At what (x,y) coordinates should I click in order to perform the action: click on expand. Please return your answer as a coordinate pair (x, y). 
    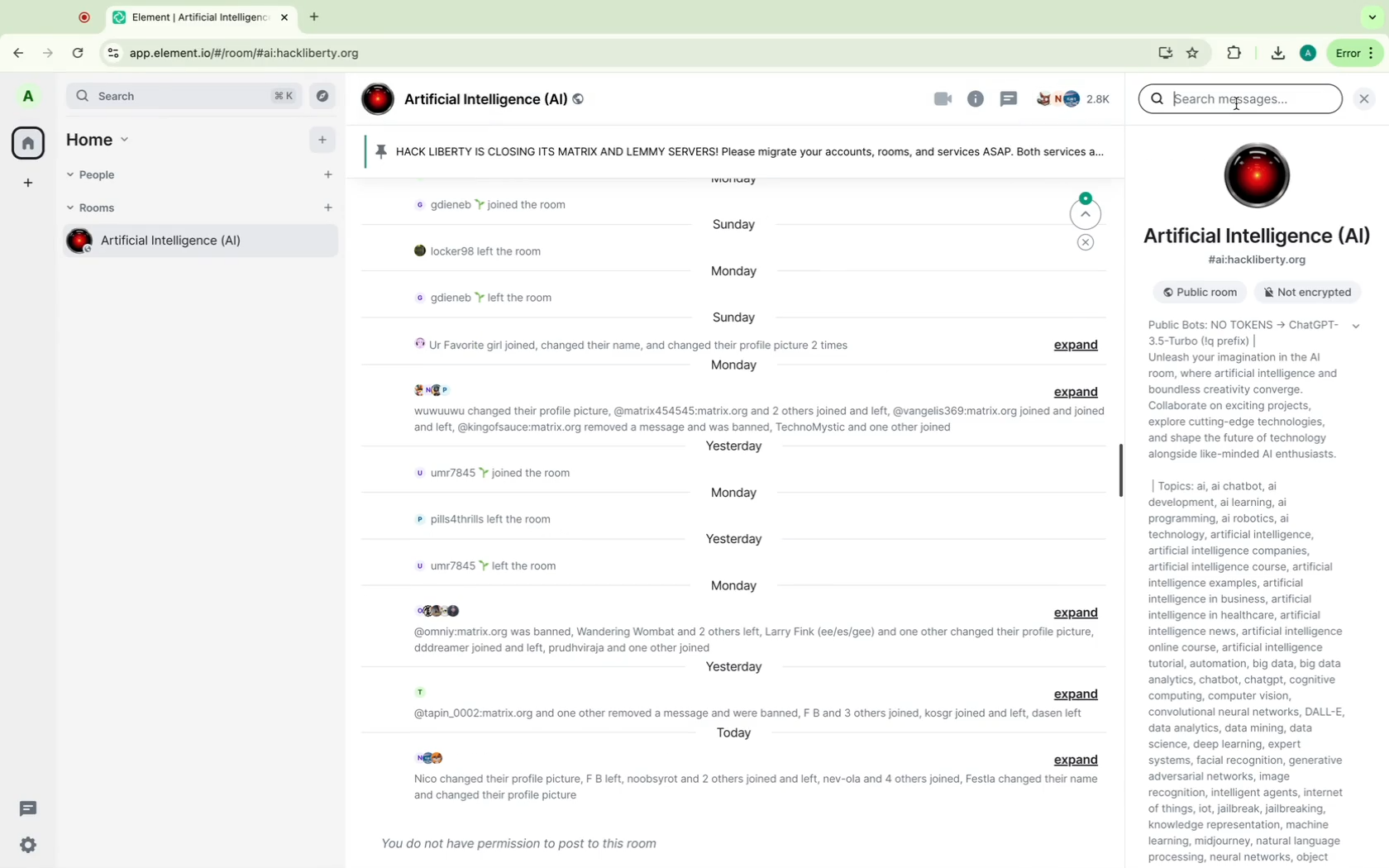
    Looking at the image, I should click on (1083, 346).